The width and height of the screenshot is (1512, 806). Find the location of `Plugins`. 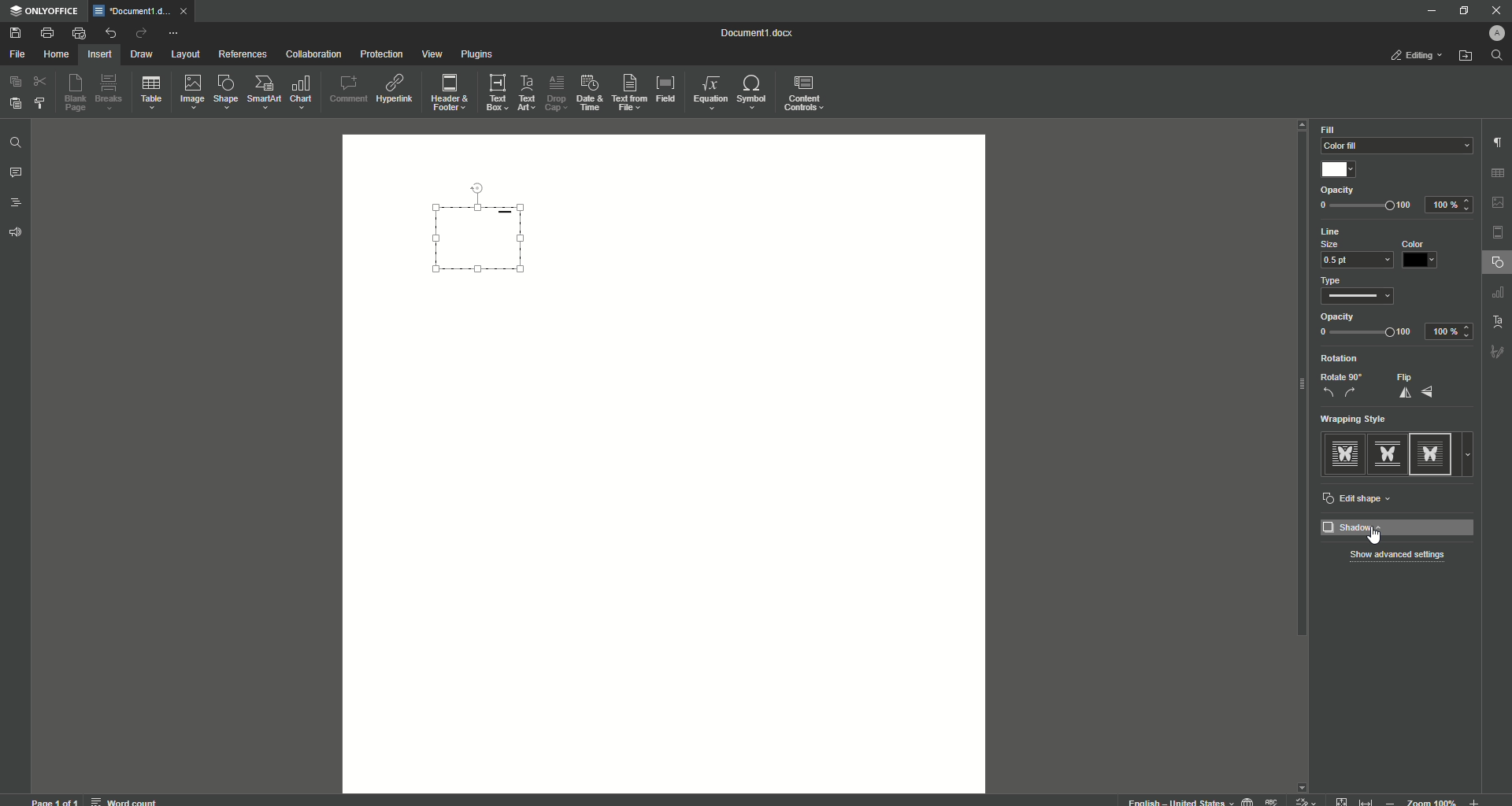

Plugins is located at coordinates (478, 55).